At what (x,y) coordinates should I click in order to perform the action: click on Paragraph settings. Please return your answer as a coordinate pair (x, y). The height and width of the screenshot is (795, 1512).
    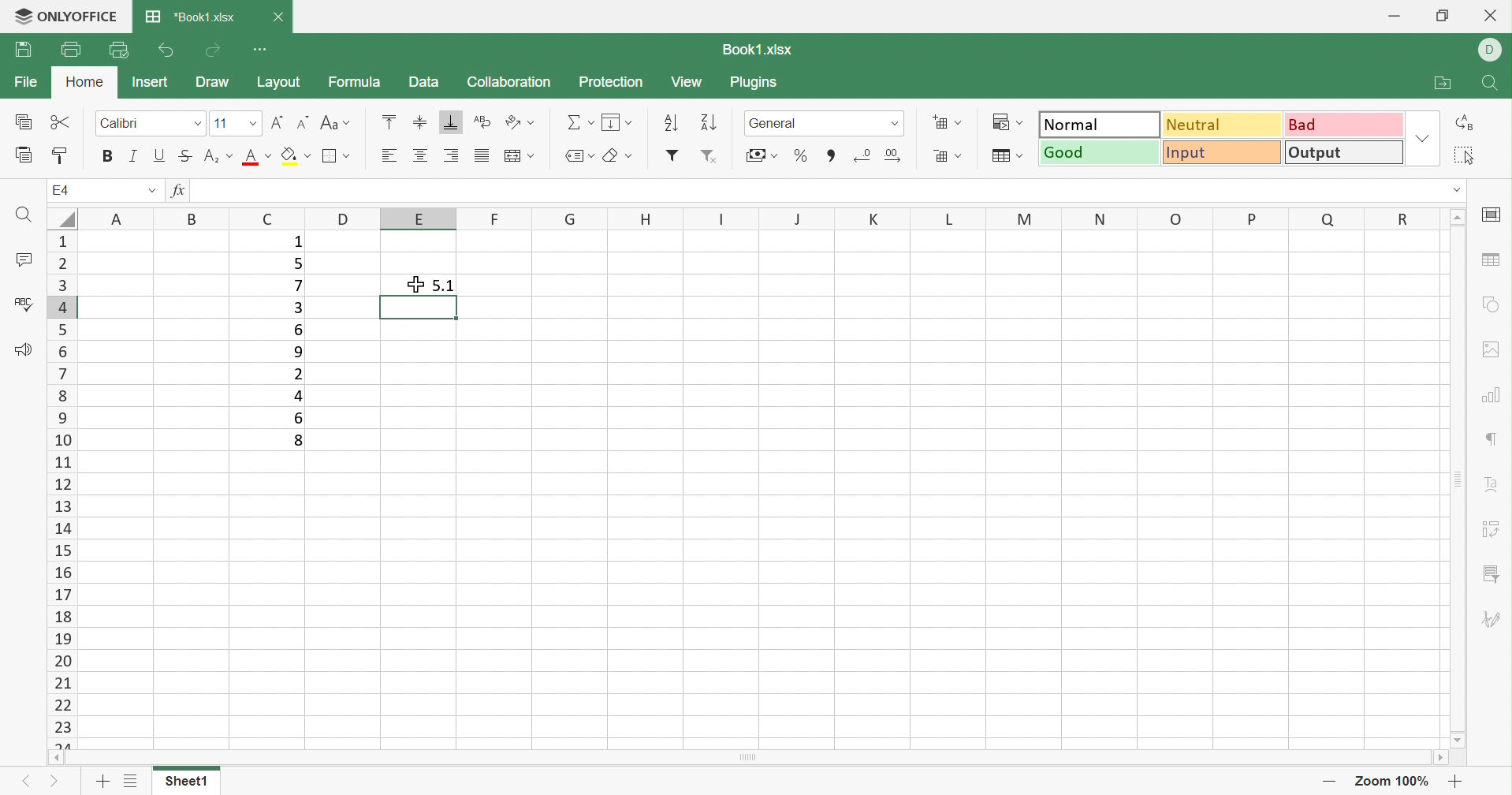
    Looking at the image, I should click on (1496, 438).